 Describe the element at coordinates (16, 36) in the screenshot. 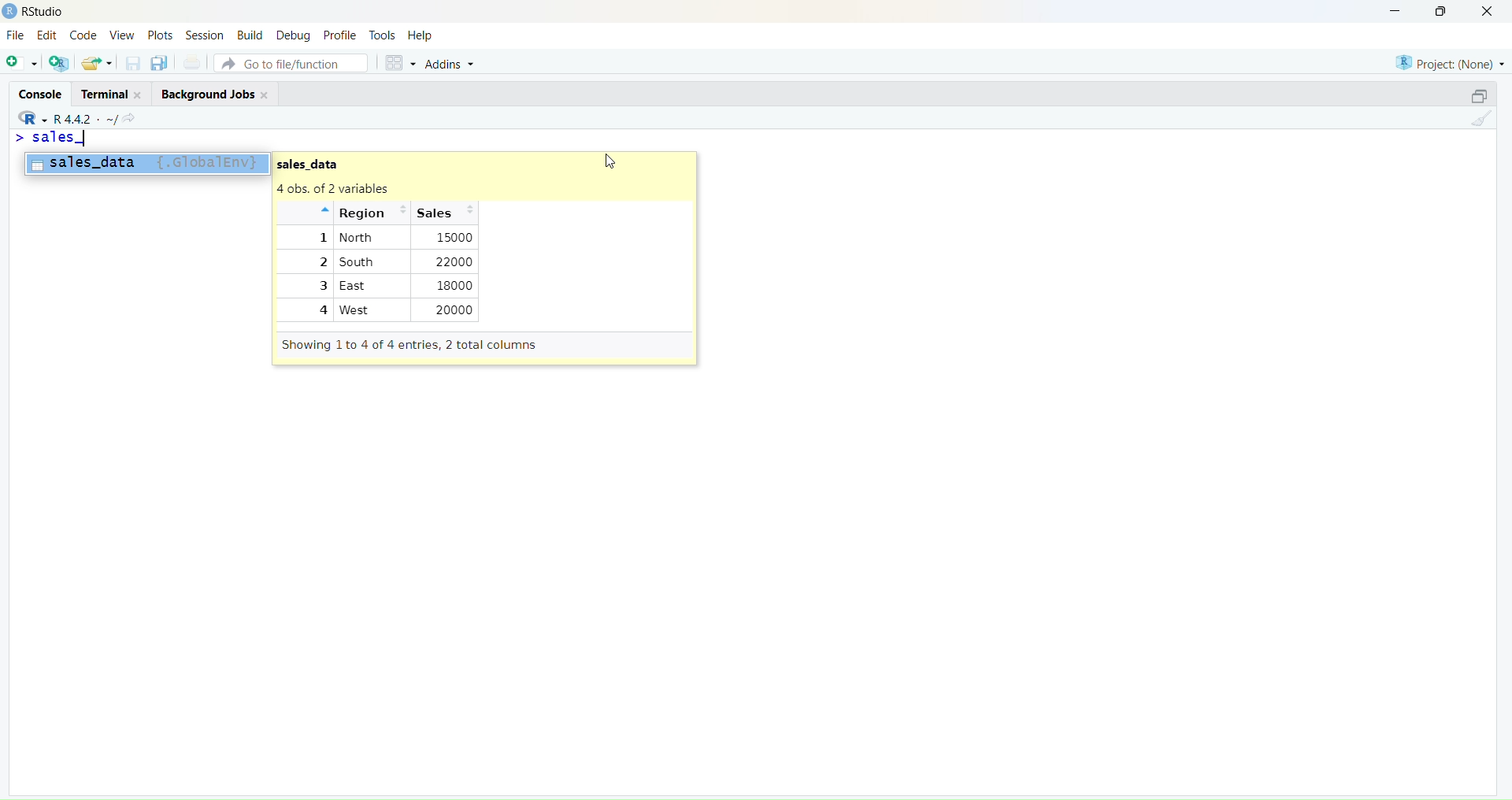

I see `File` at that location.